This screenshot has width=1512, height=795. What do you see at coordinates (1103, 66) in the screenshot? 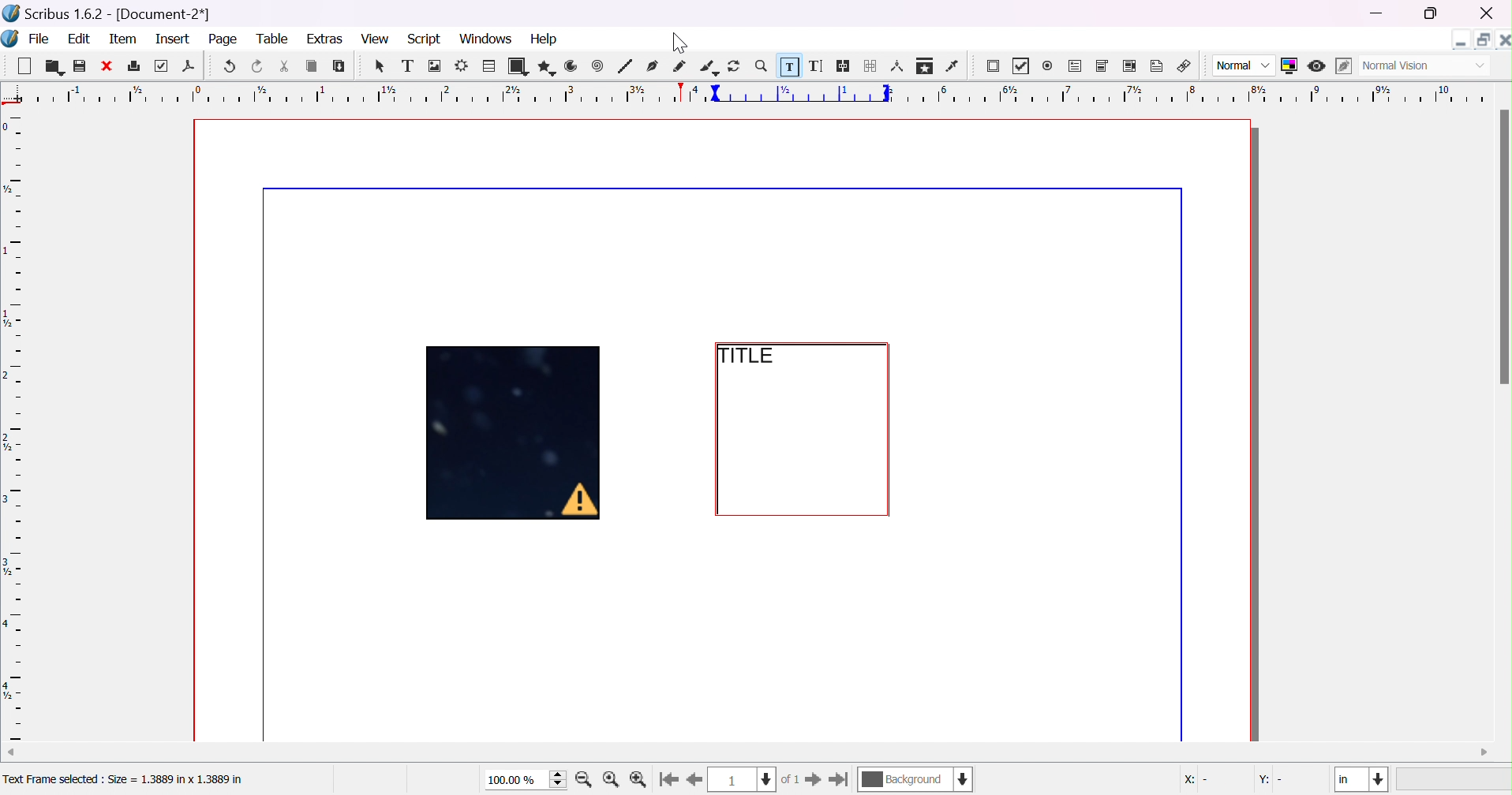
I see `PDF combo box` at bounding box center [1103, 66].